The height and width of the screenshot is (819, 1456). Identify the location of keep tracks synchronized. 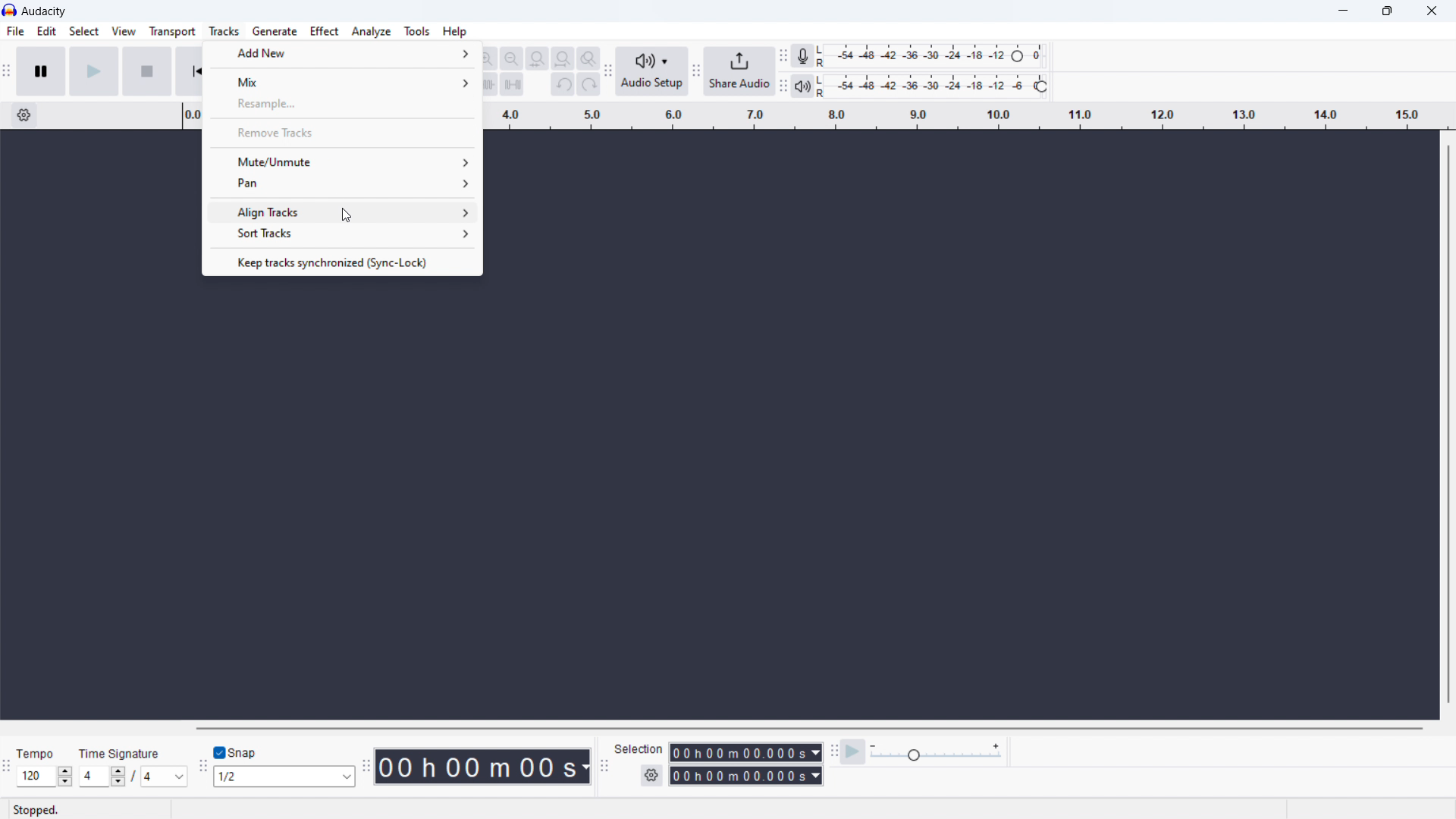
(341, 261).